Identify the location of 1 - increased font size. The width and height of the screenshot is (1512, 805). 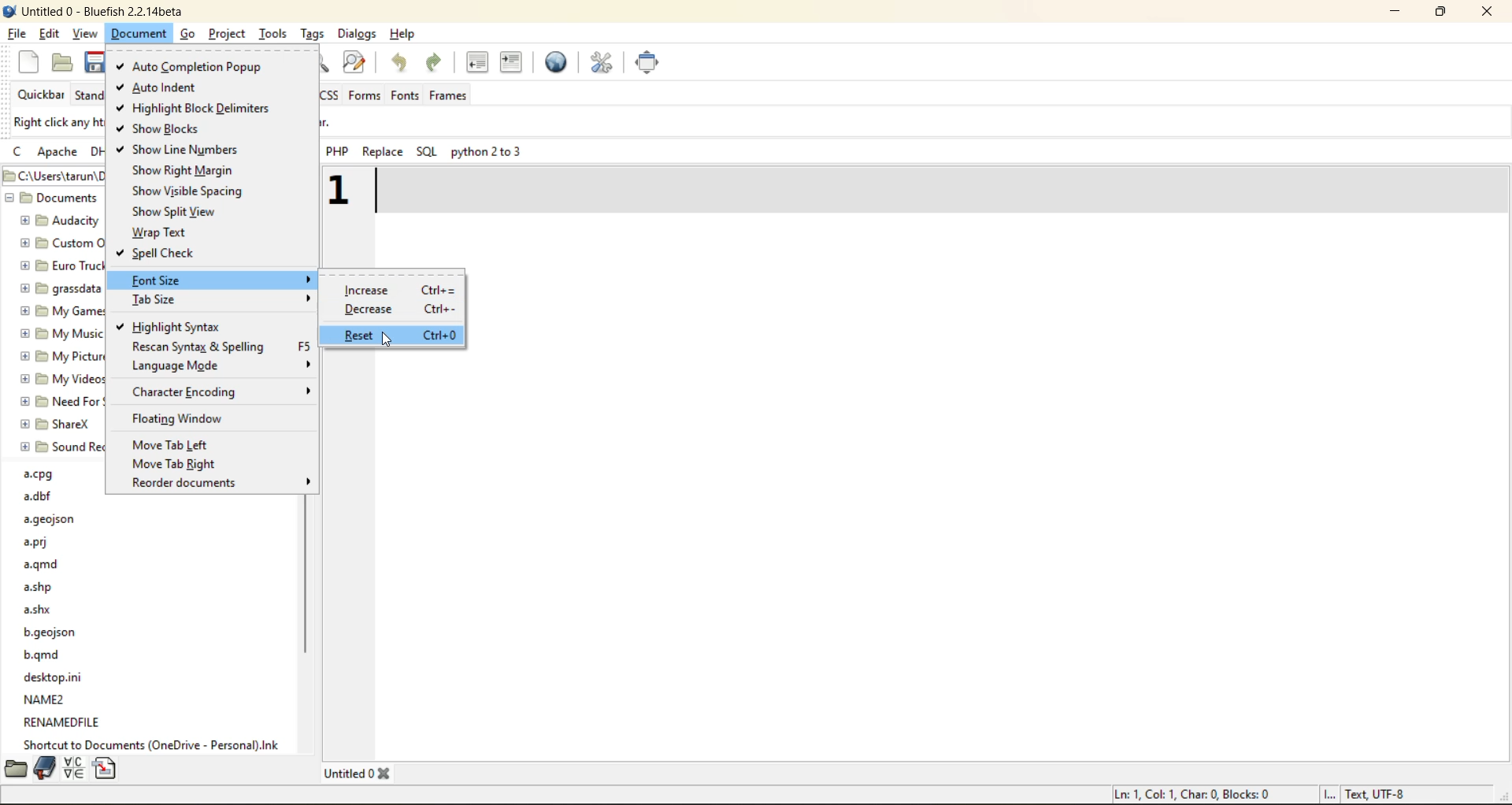
(346, 190).